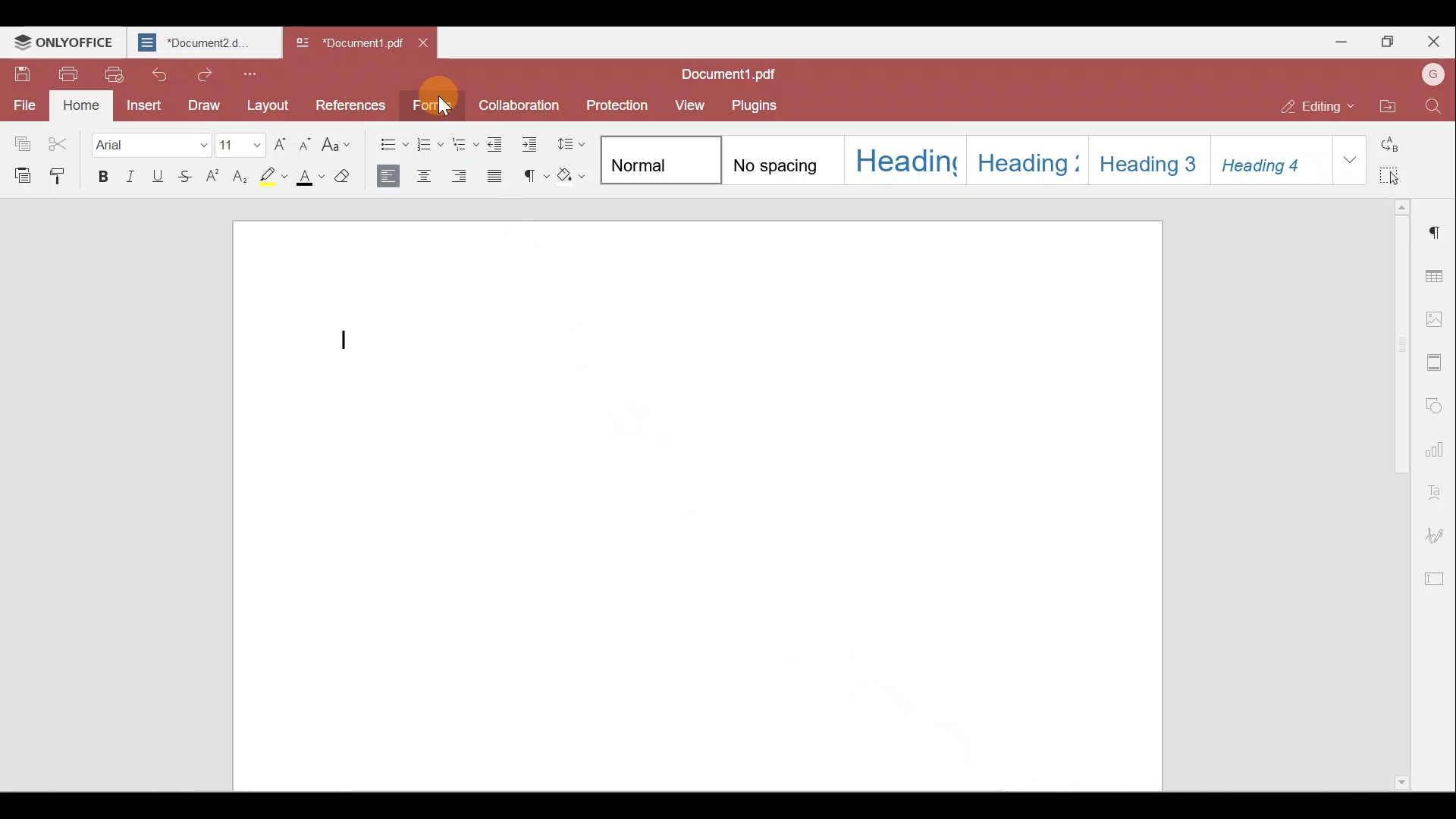 The width and height of the screenshot is (1456, 819). I want to click on Form settings, so click(1437, 577).